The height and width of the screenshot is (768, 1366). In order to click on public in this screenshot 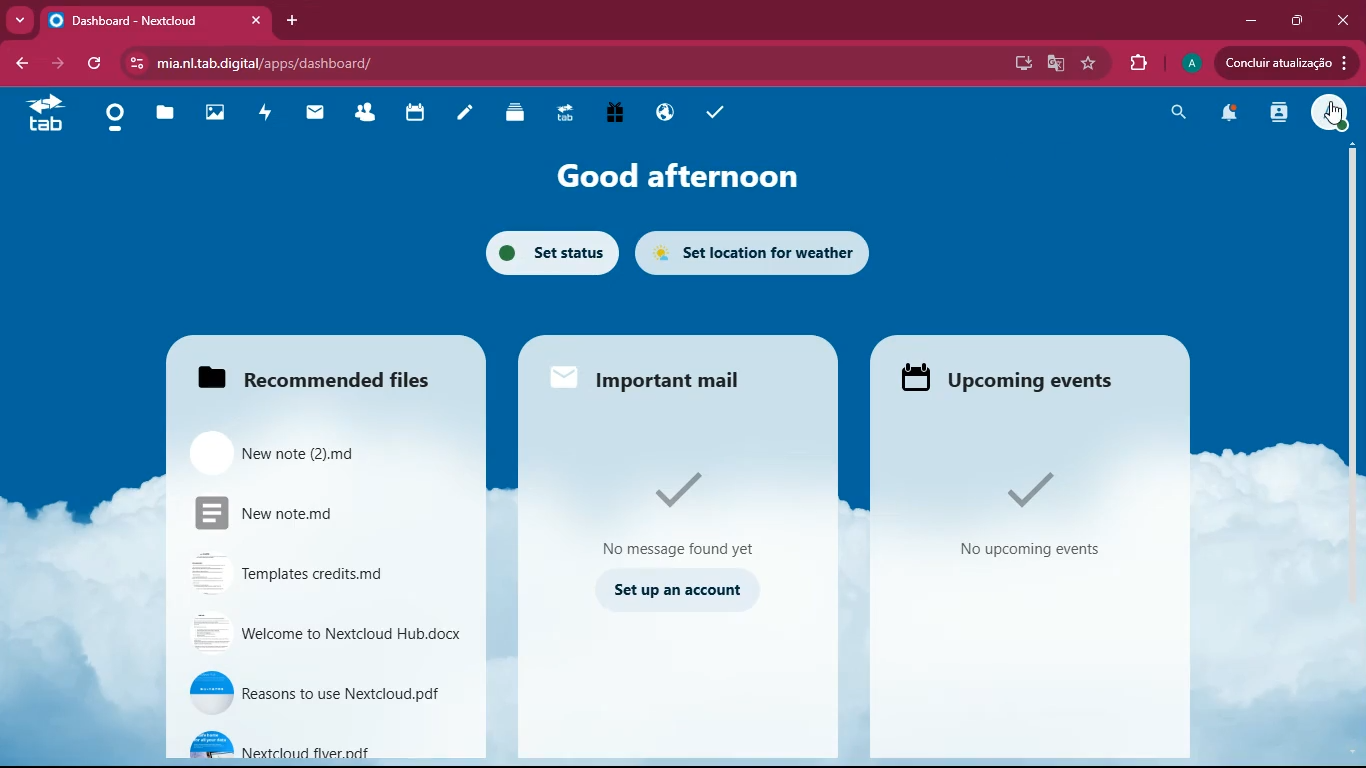, I will do `click(660, 112)`.